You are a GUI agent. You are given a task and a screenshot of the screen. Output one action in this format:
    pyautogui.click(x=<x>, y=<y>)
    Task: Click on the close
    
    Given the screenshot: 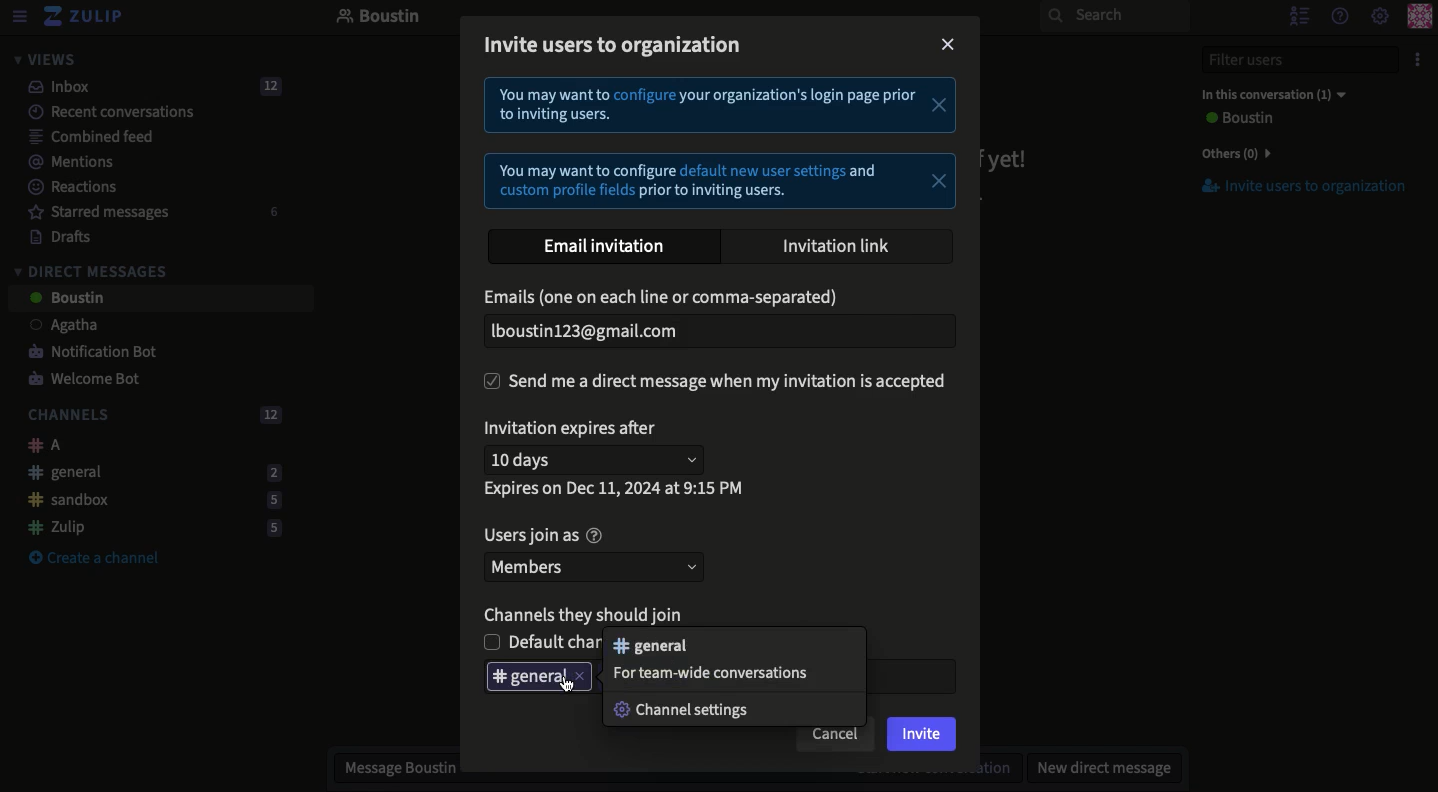 What is the action you would take?
    pyautogui.click(x=584, y=678)
    